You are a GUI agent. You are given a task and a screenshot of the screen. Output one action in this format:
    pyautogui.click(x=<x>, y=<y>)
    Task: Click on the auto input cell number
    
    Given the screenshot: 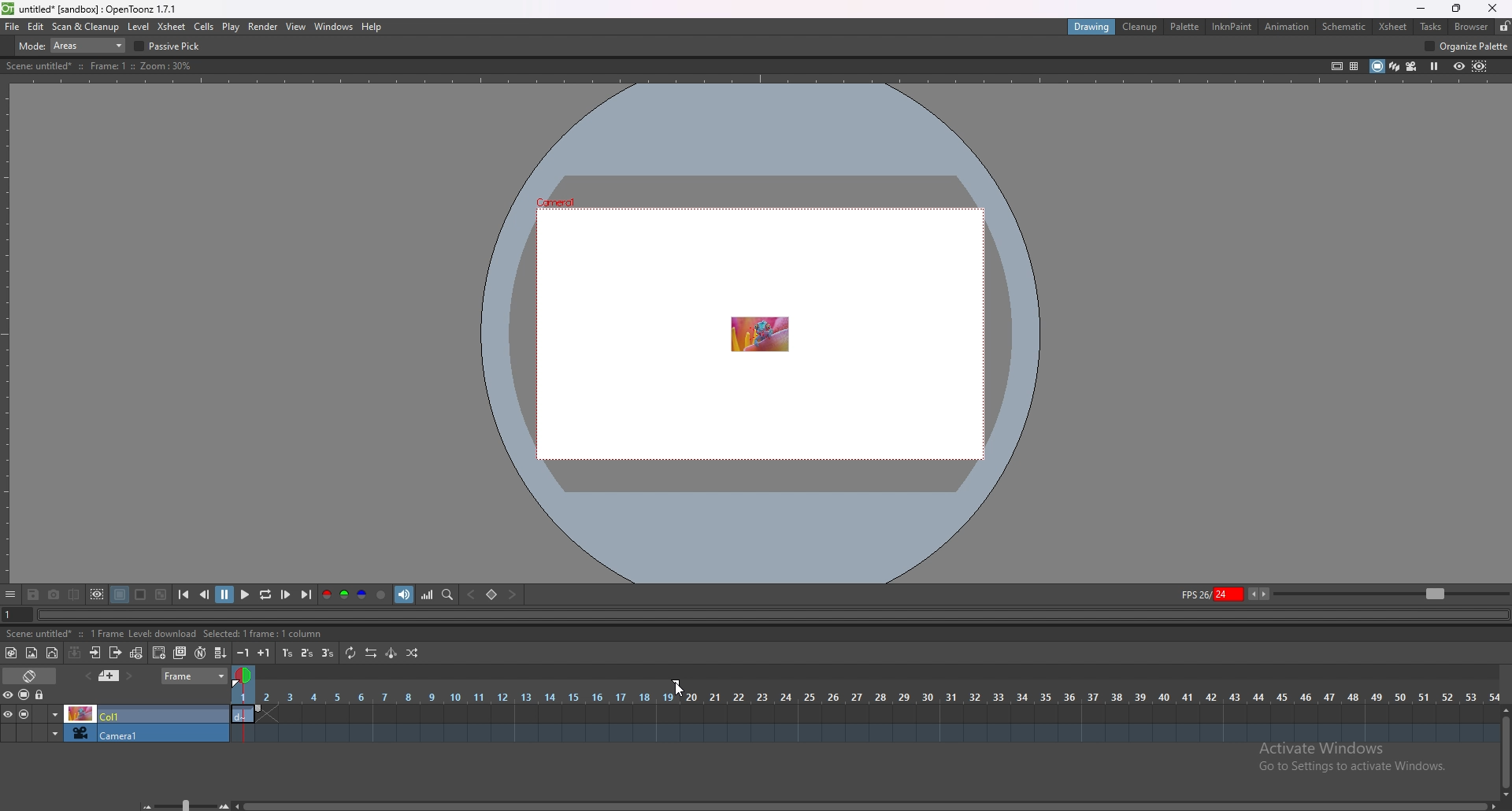 What is the action you would take?
    pyautogui.click(x=200, y=653)
    